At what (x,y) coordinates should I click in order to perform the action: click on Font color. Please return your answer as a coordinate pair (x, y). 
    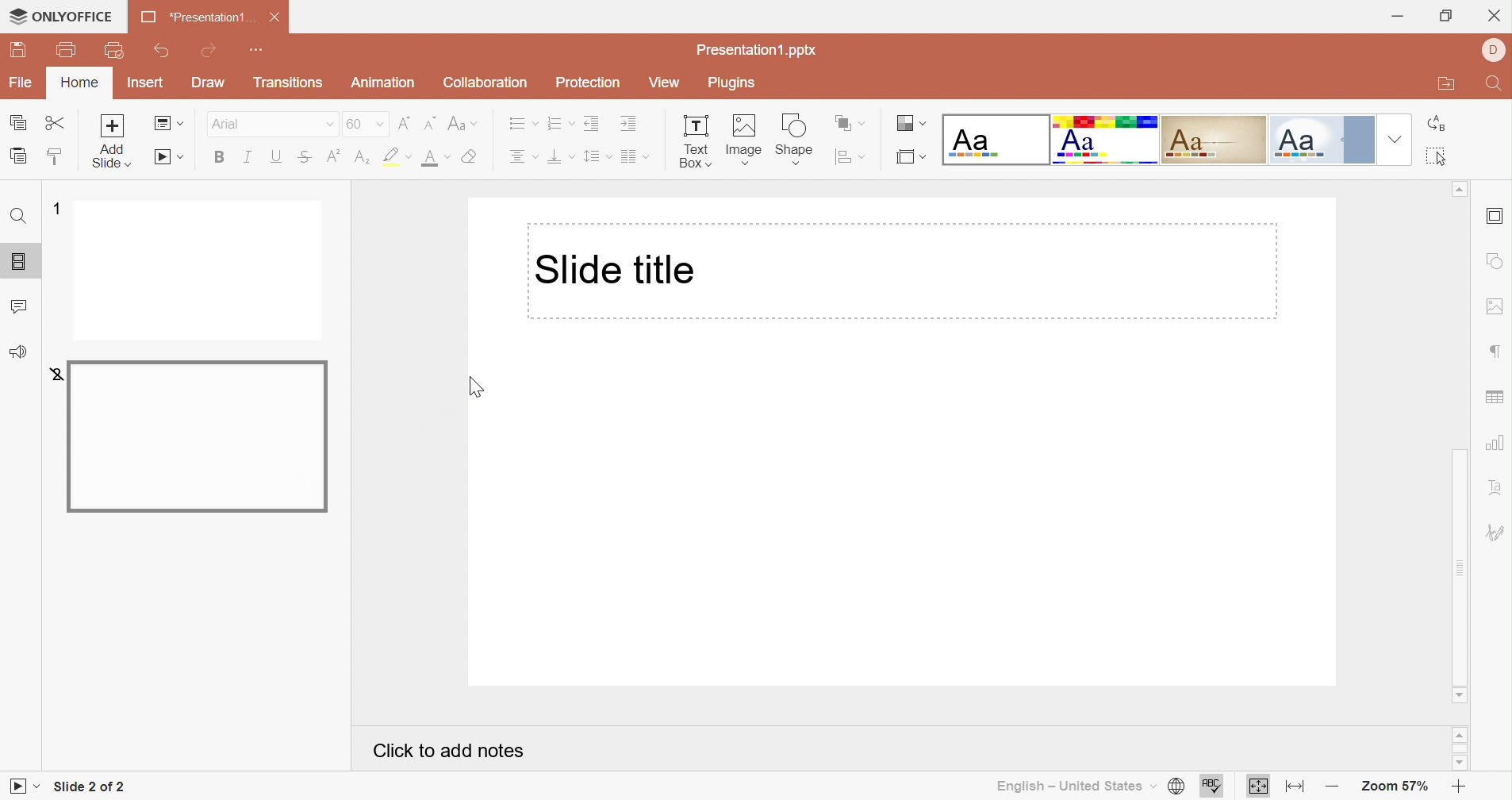
    Looking at the image, I should click on (436, 157).